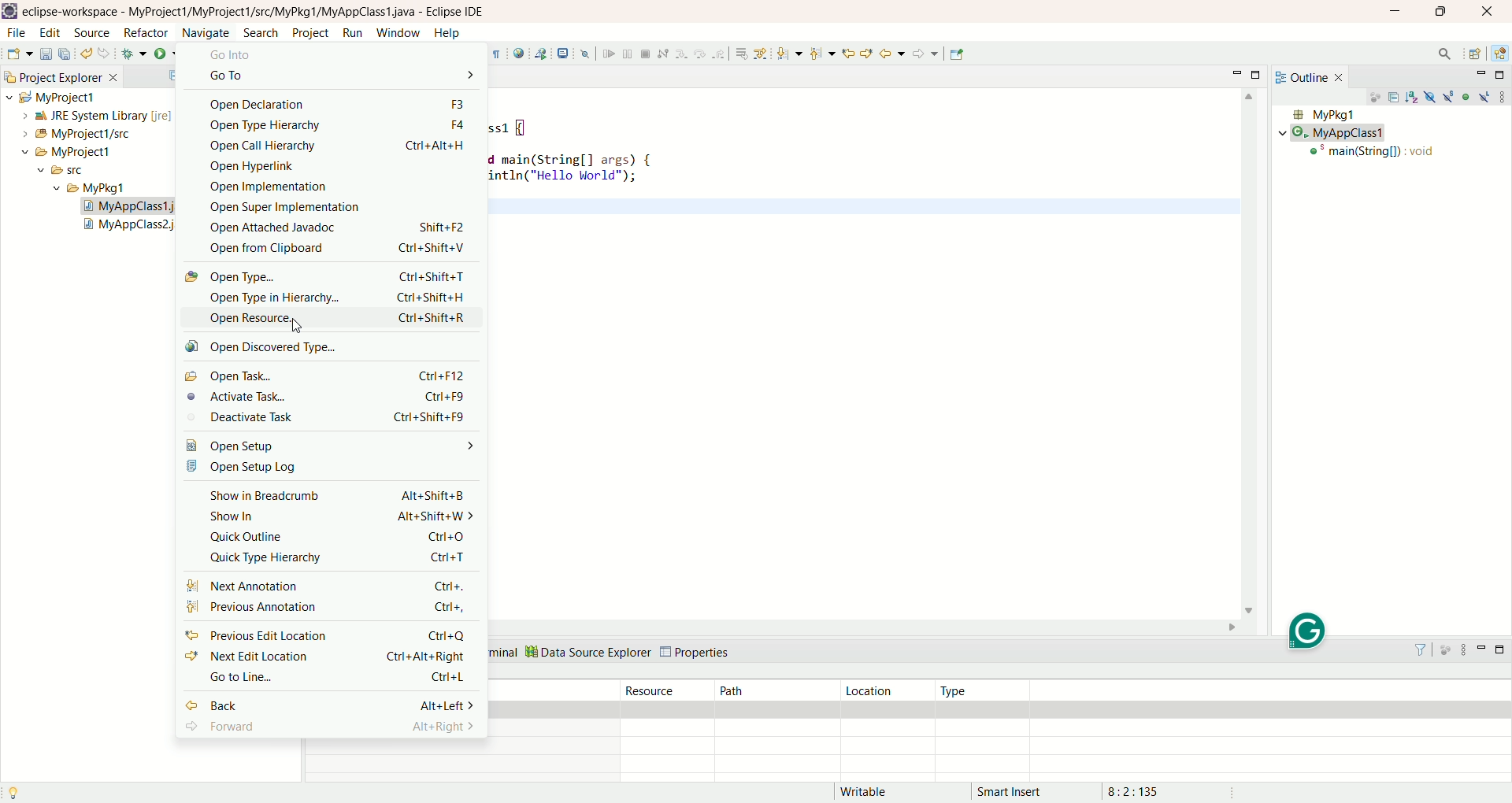 This screenshot has width=1512, height=803. What do you see at coordinates (91, 188) in the screenshot?
I see `mypkg1` at bounding box center [91, 188].